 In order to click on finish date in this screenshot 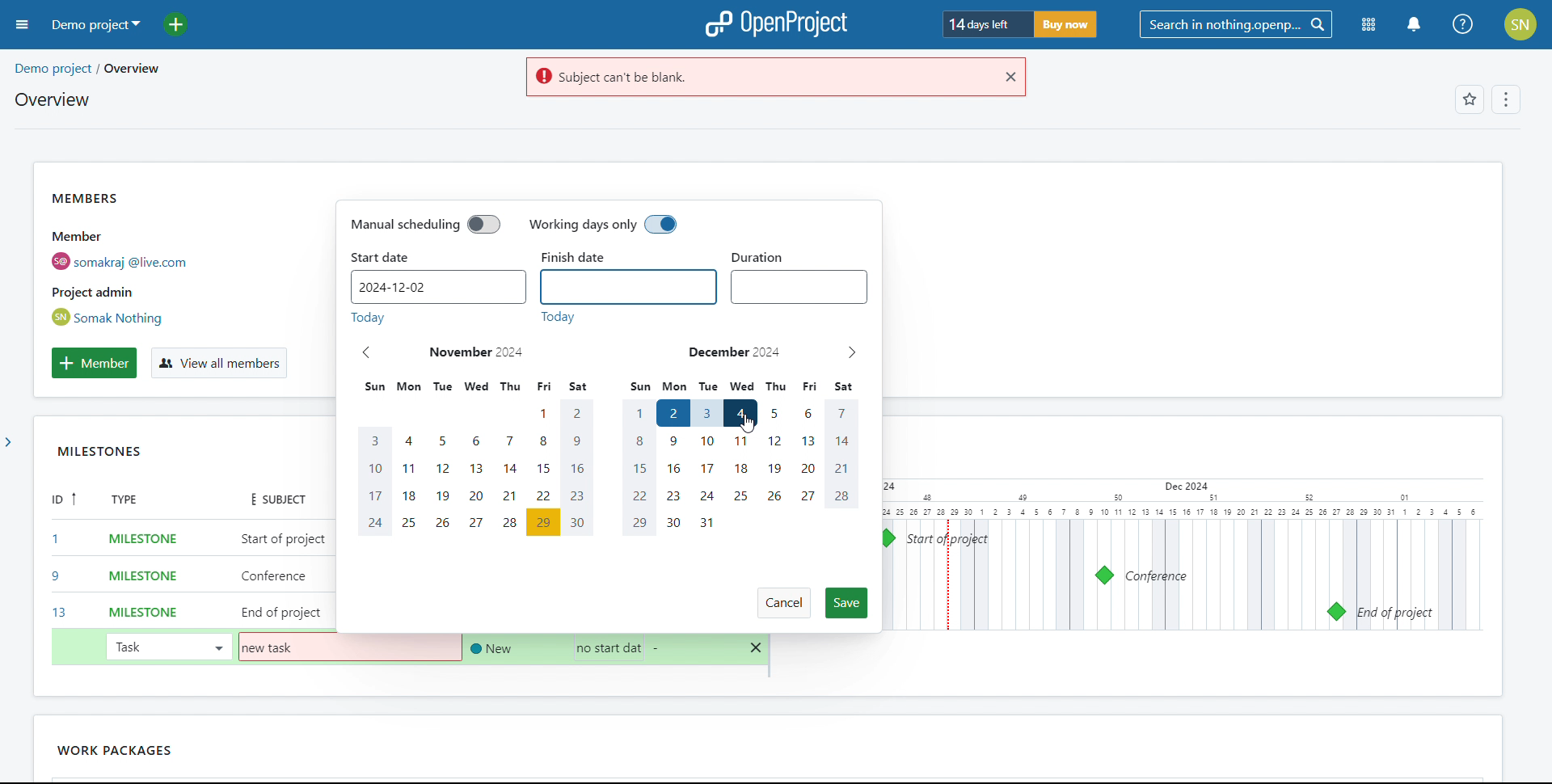, I will do `click(585, 257)`.